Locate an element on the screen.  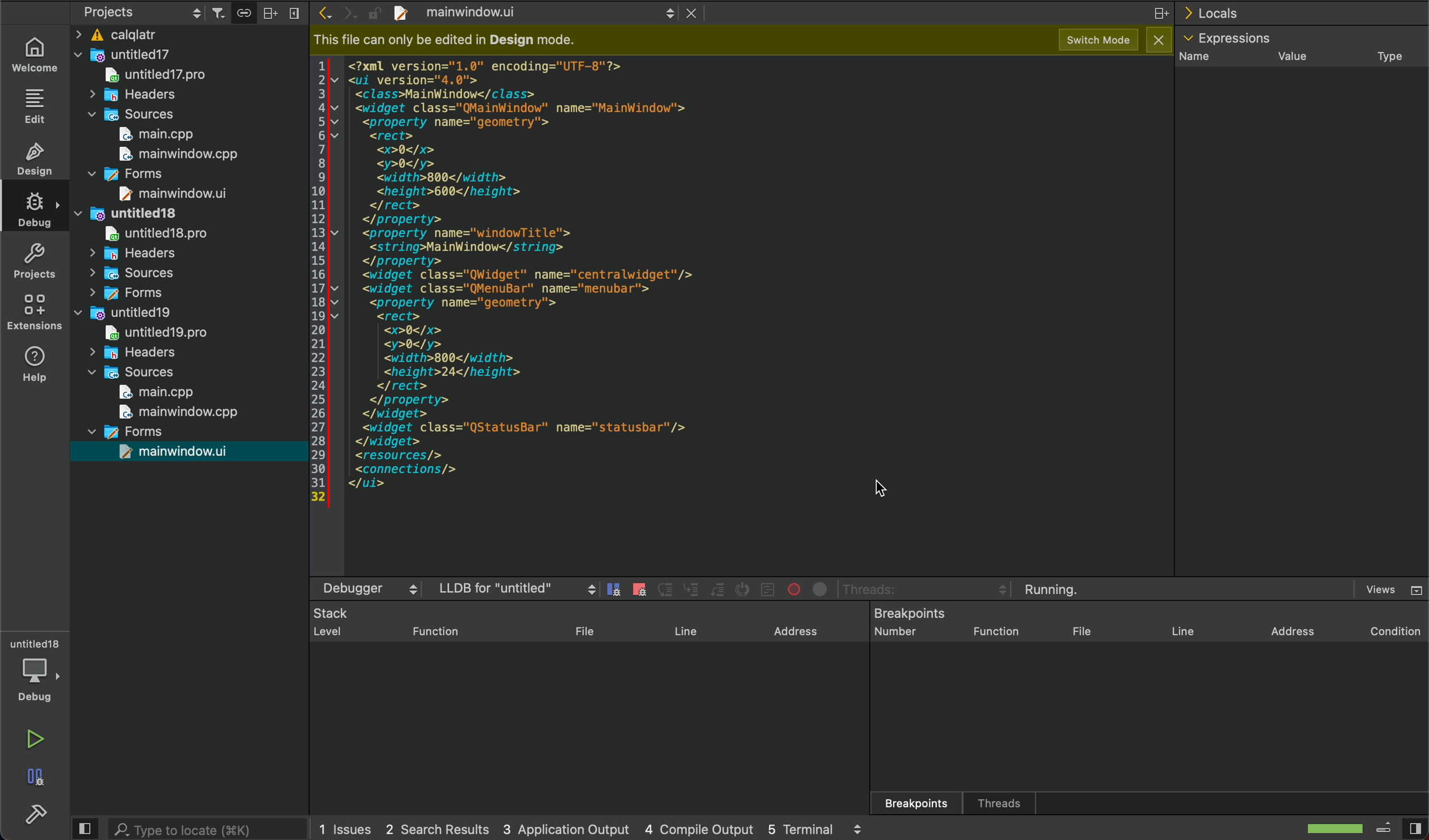
sources is located at coordinates (137, 372).